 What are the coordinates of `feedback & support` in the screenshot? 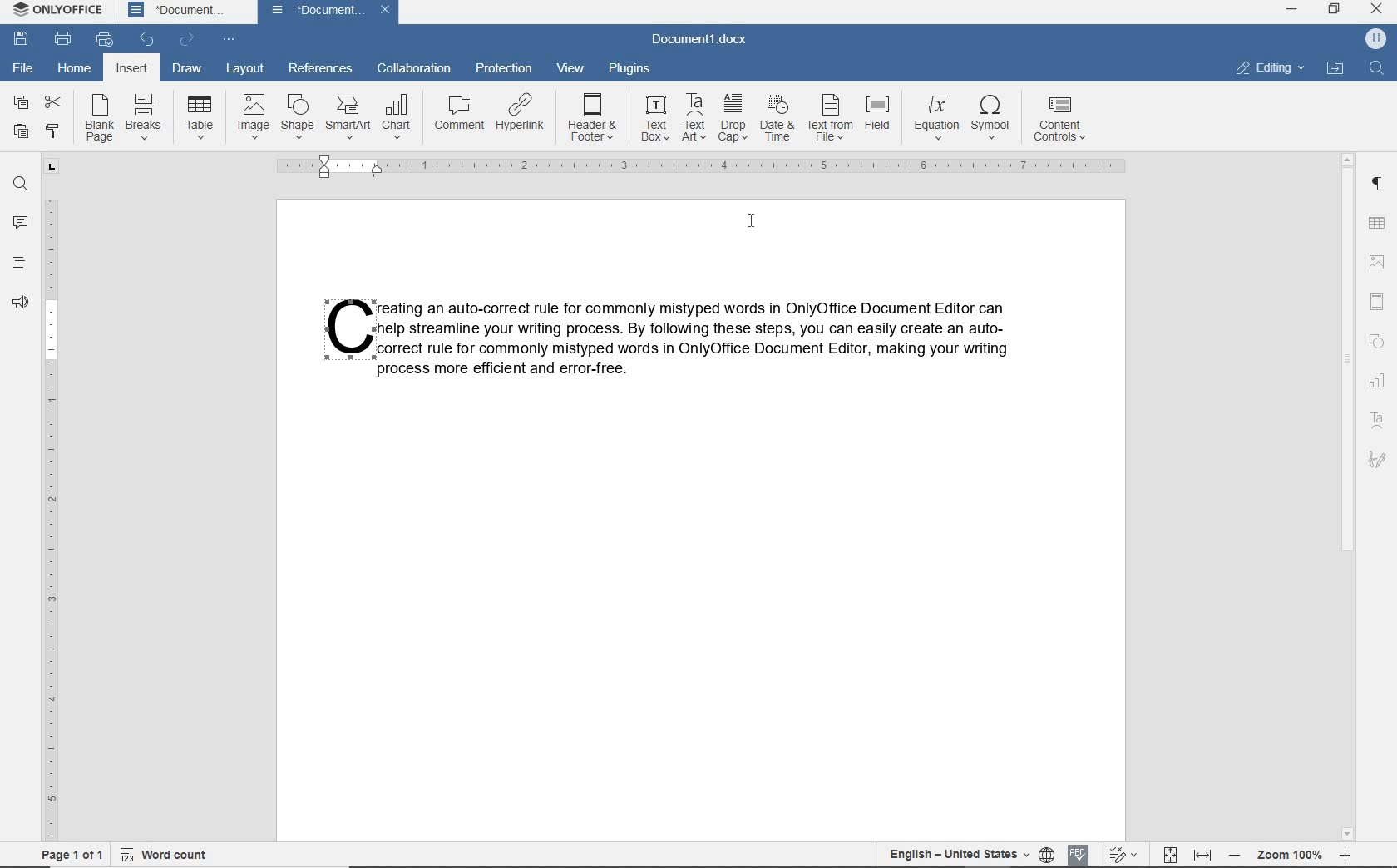 It's located at (21, 303).